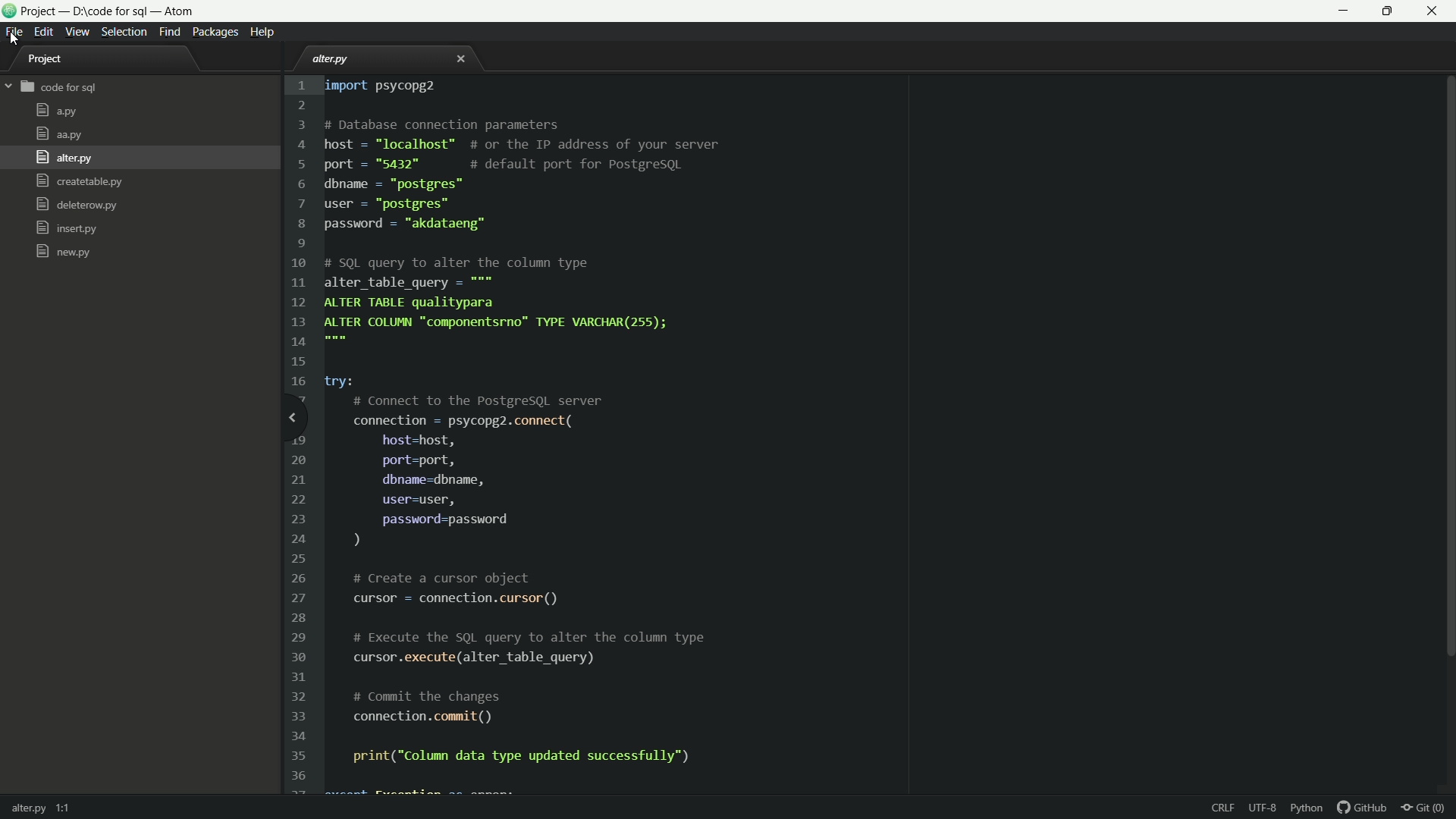 The height and width of the screenshot is (819, 1456). Describe the element at coordinates (76, 206) in the screenshot. I see `deleterow.py file` at that location.